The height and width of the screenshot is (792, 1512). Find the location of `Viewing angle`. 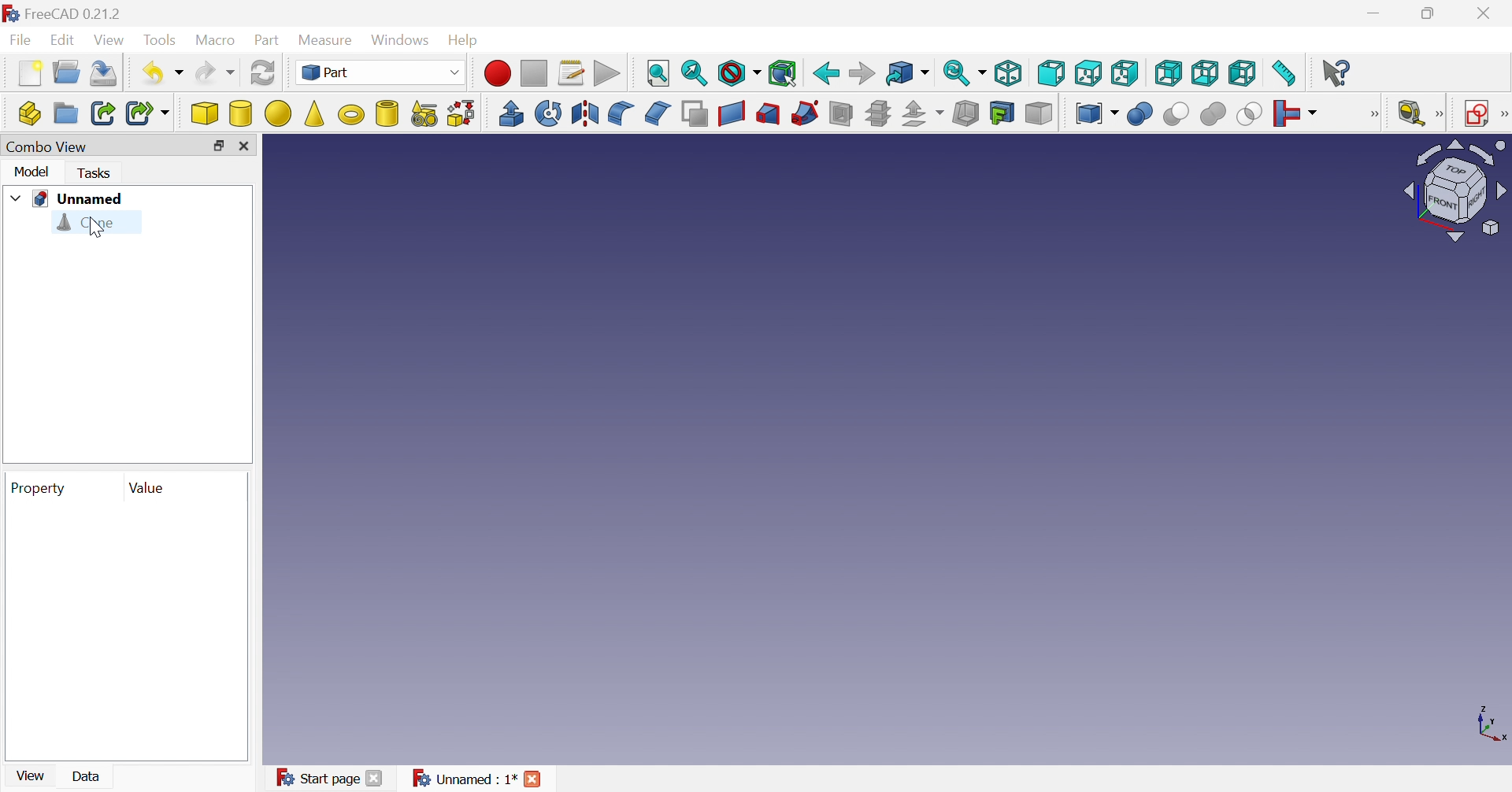

Viewing angle is located at coordinates (1452, 192).